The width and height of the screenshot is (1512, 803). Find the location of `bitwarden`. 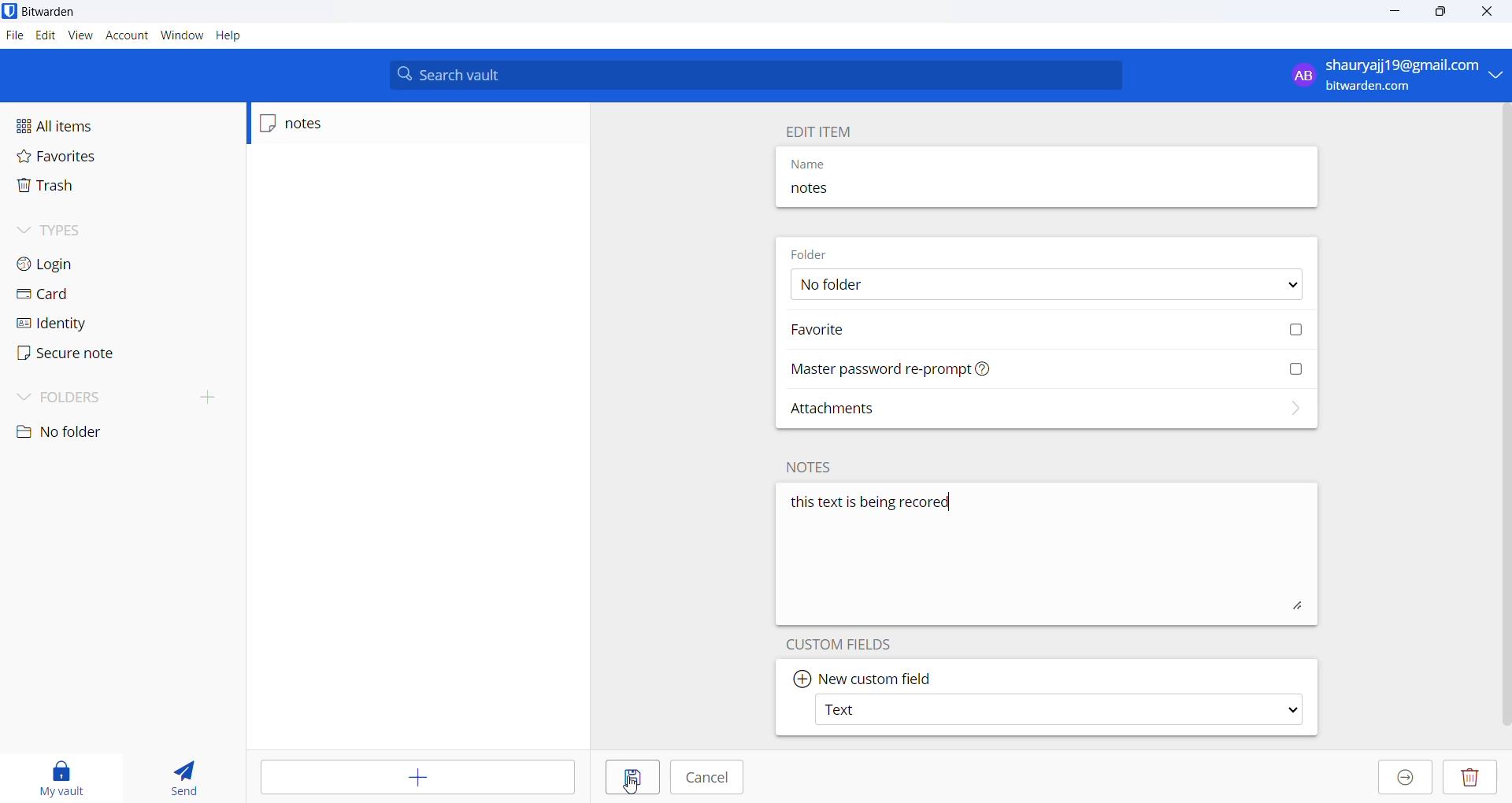

bitwarden is located at coordinates (46, 11).